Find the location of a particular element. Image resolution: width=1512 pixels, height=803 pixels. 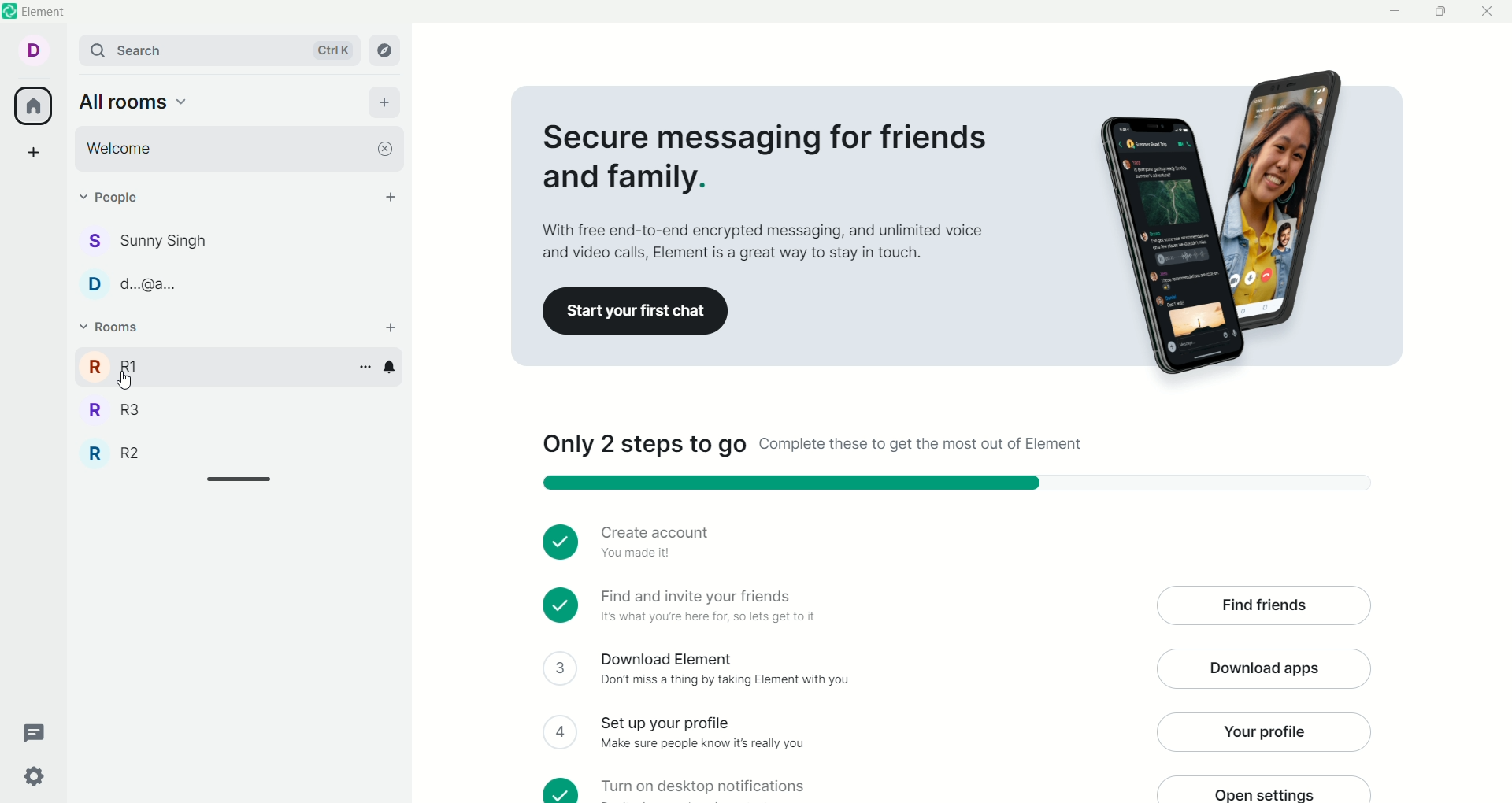

maximize is located at coordinates (1440, 12).